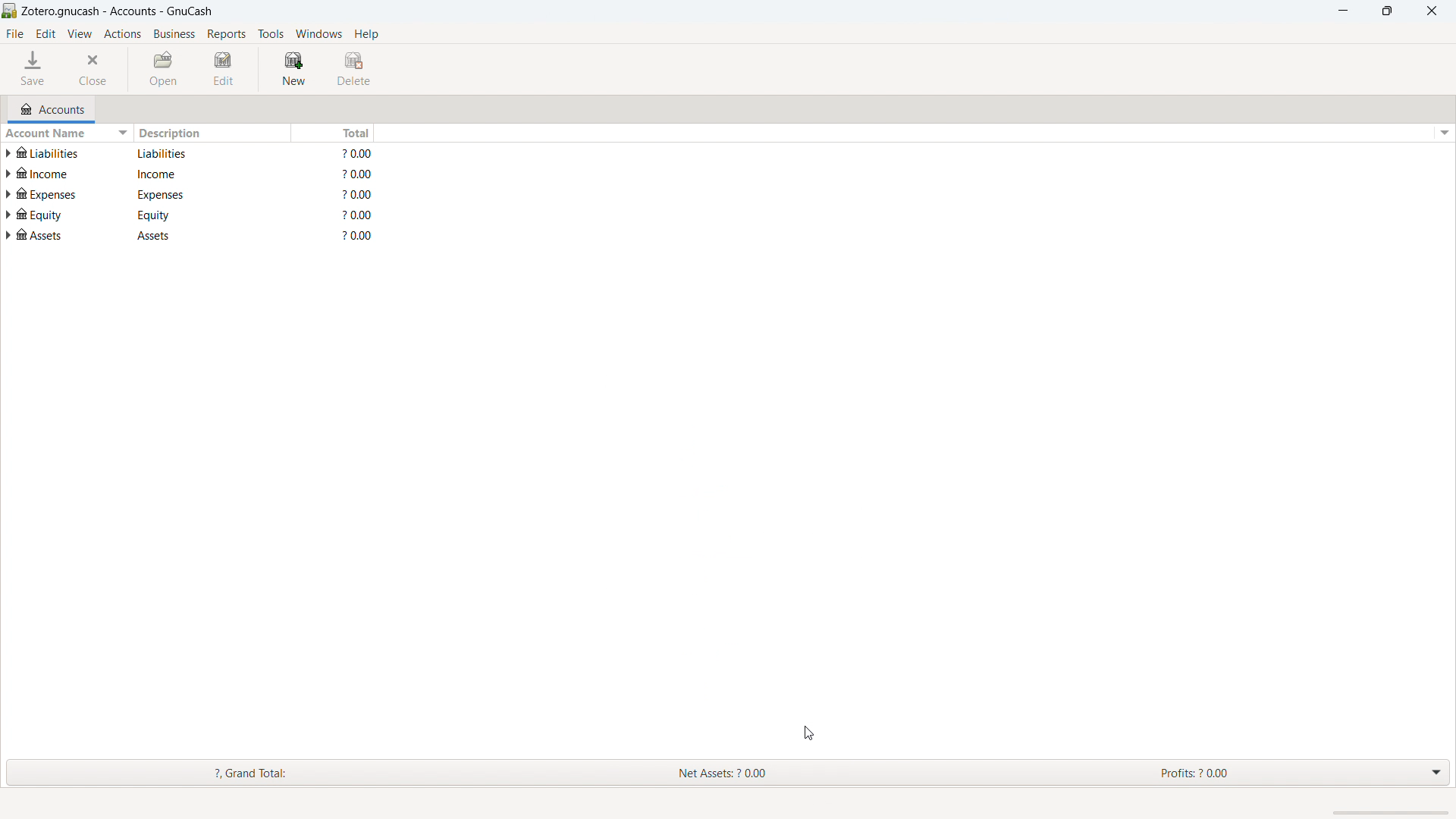  I want to click on windows, so click(319, 34).